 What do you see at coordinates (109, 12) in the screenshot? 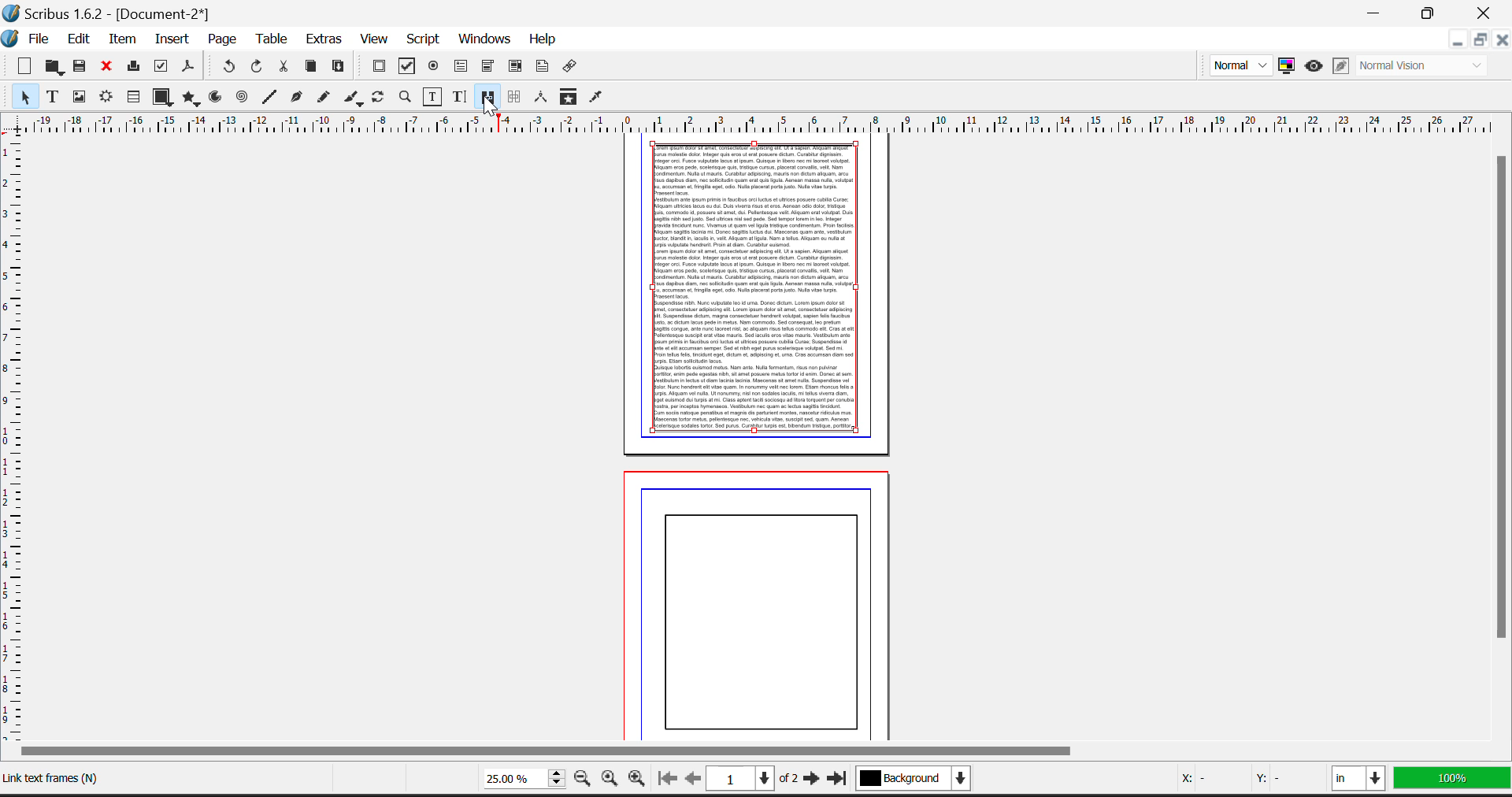
I see `Scribus 1.6.2 -[Document -2*]` at bounding box center [109, 12].